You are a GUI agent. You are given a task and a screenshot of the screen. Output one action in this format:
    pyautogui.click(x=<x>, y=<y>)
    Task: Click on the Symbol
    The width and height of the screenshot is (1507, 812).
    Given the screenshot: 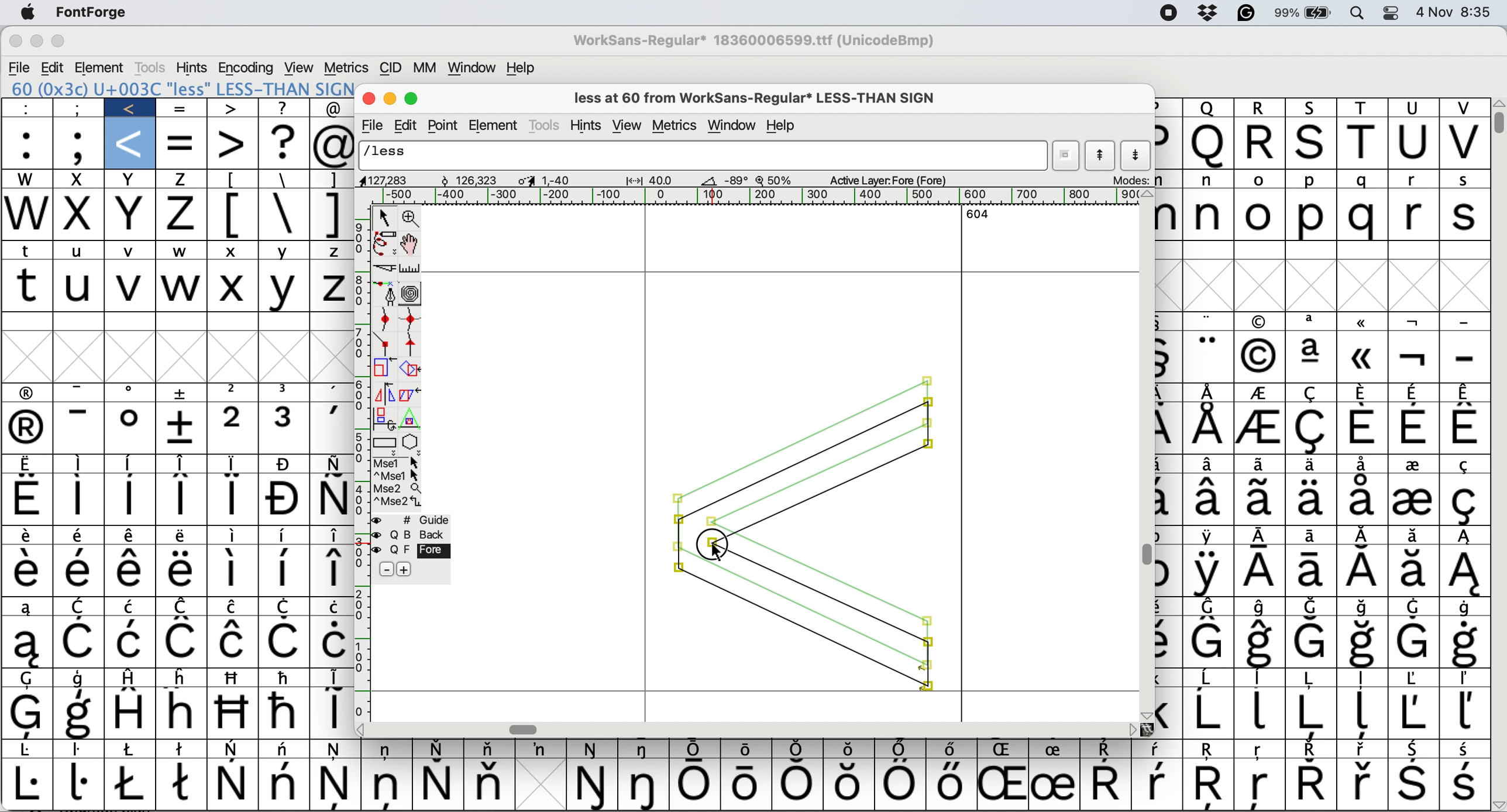 What is the action you would take?
    pyautogui.click(x=234, y=642)
    